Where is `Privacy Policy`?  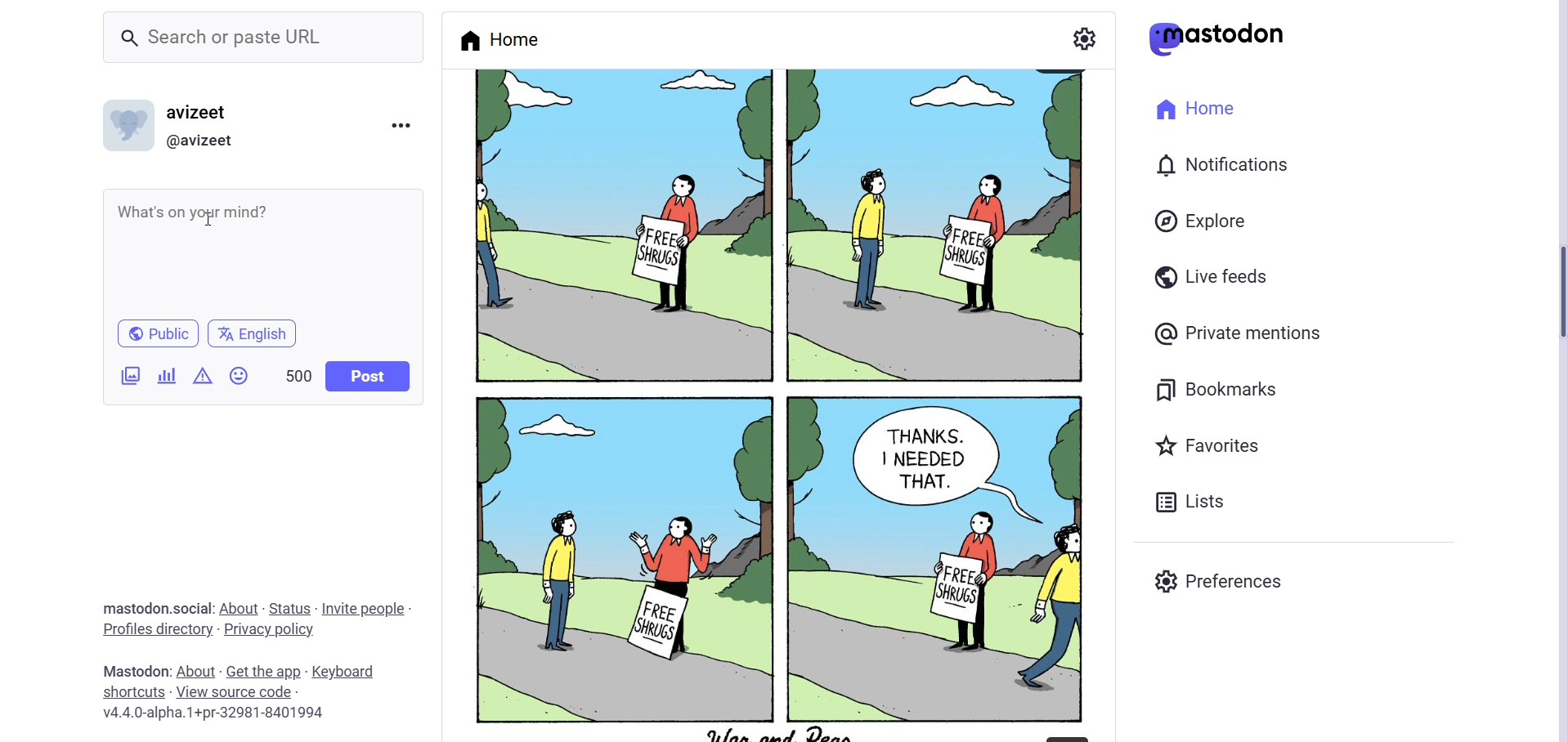
Privacy Policy is located at coordinates (269, 630).